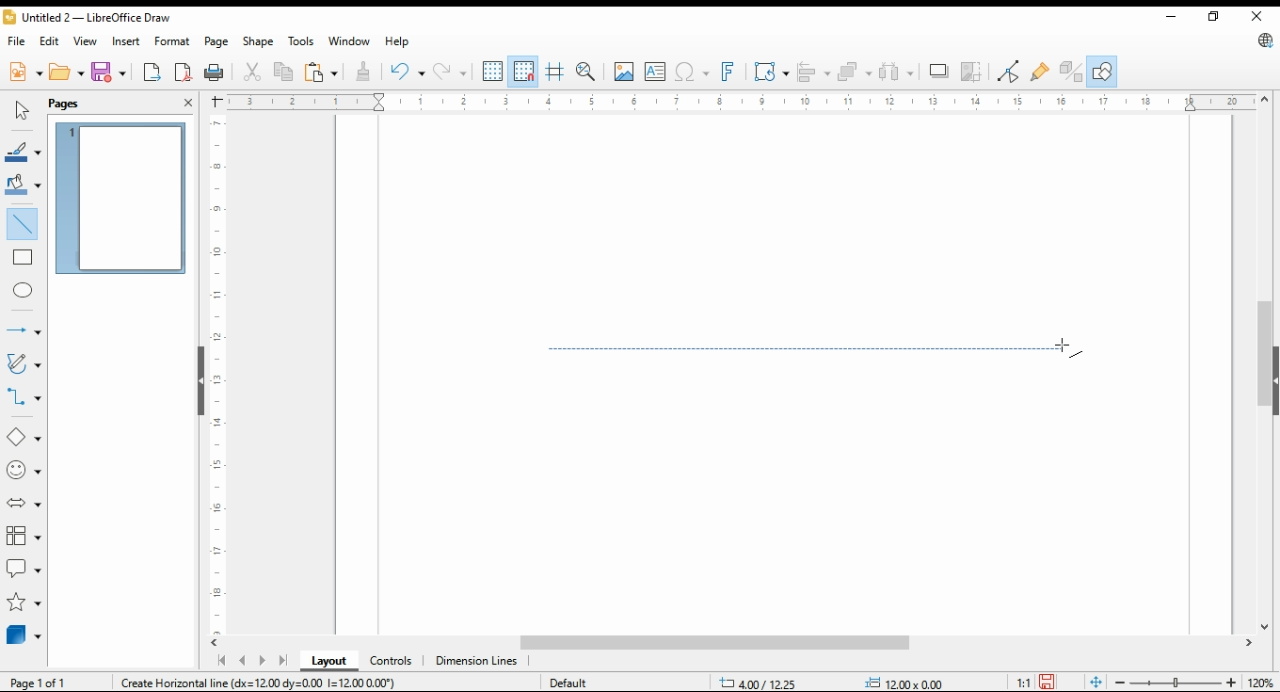 This screenshot has width=1280, height=692. Describe the element at coordinates (25, 436) in the screenshot. I see `simple shapes` at that location.